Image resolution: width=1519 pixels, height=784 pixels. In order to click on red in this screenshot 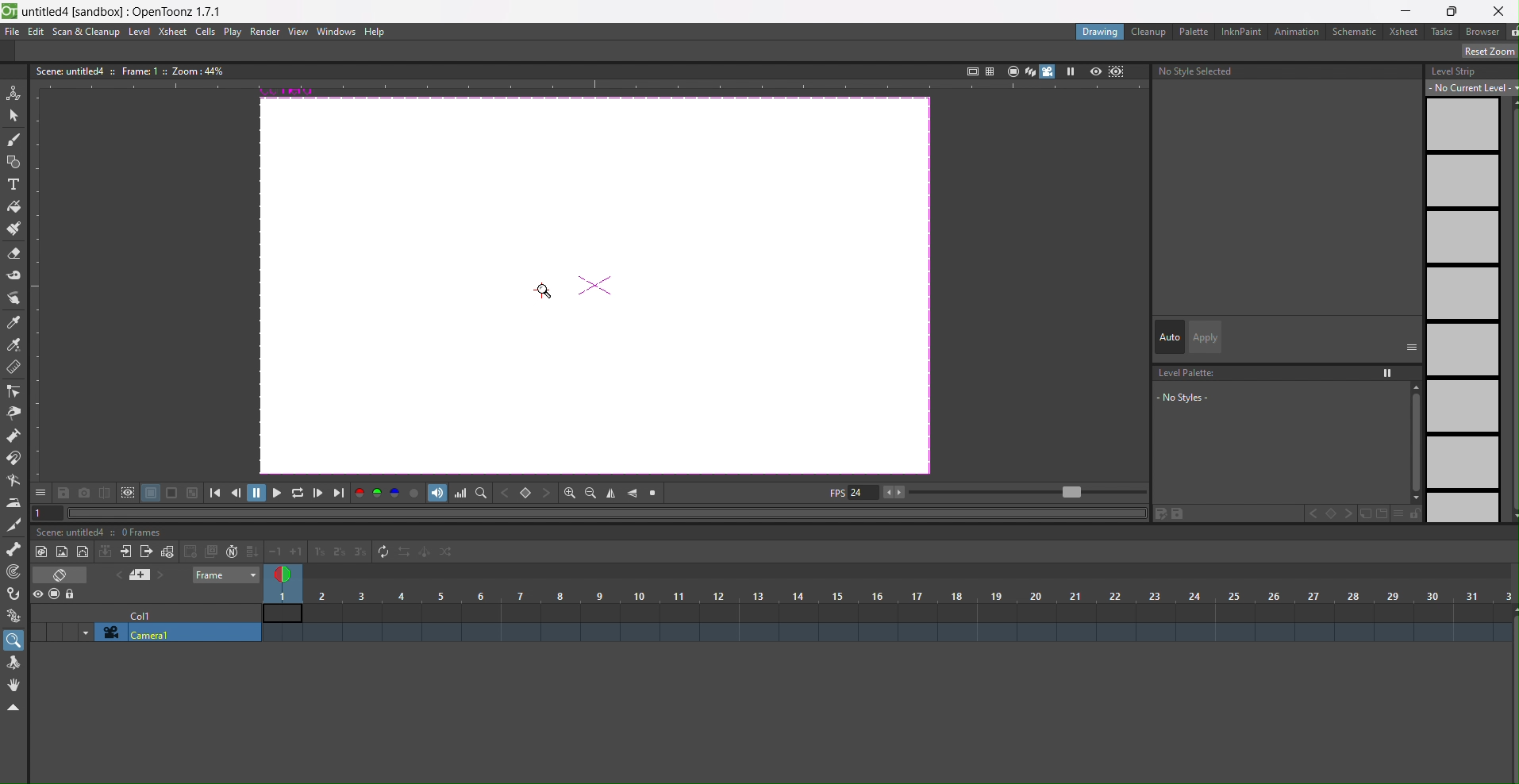, I will do `click(360, 494)`.